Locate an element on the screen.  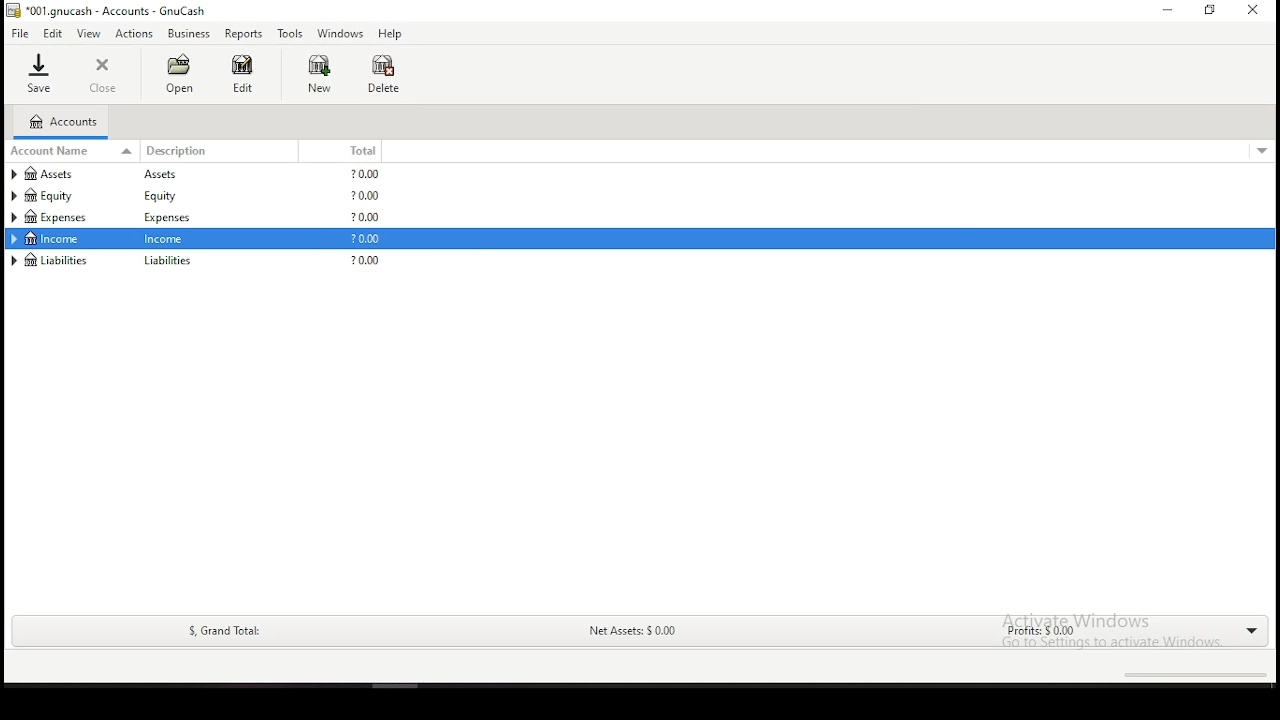
business is located at coordinates (189, 33).